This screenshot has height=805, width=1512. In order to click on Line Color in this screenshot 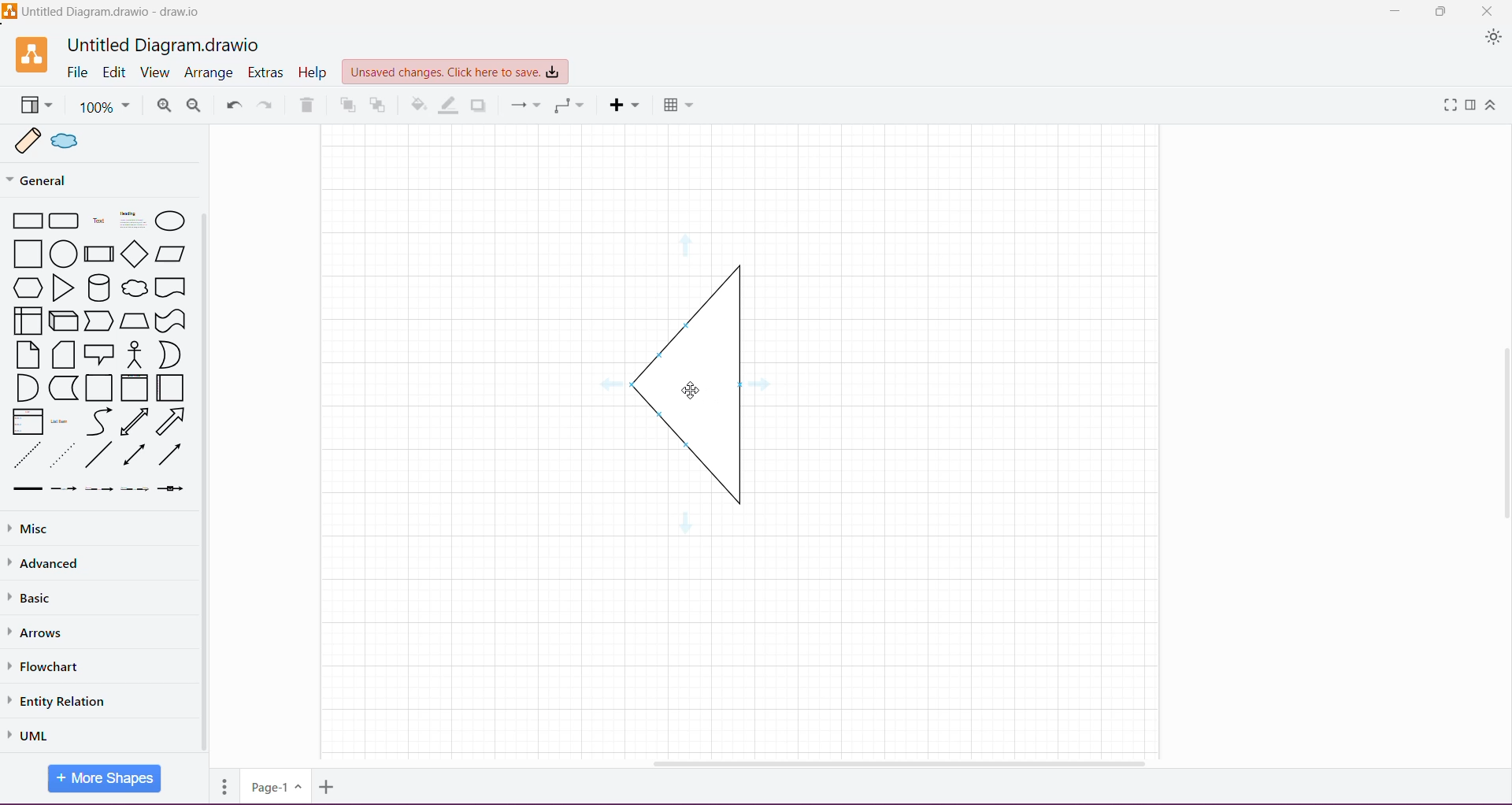, I will do `click(447, 105)`.